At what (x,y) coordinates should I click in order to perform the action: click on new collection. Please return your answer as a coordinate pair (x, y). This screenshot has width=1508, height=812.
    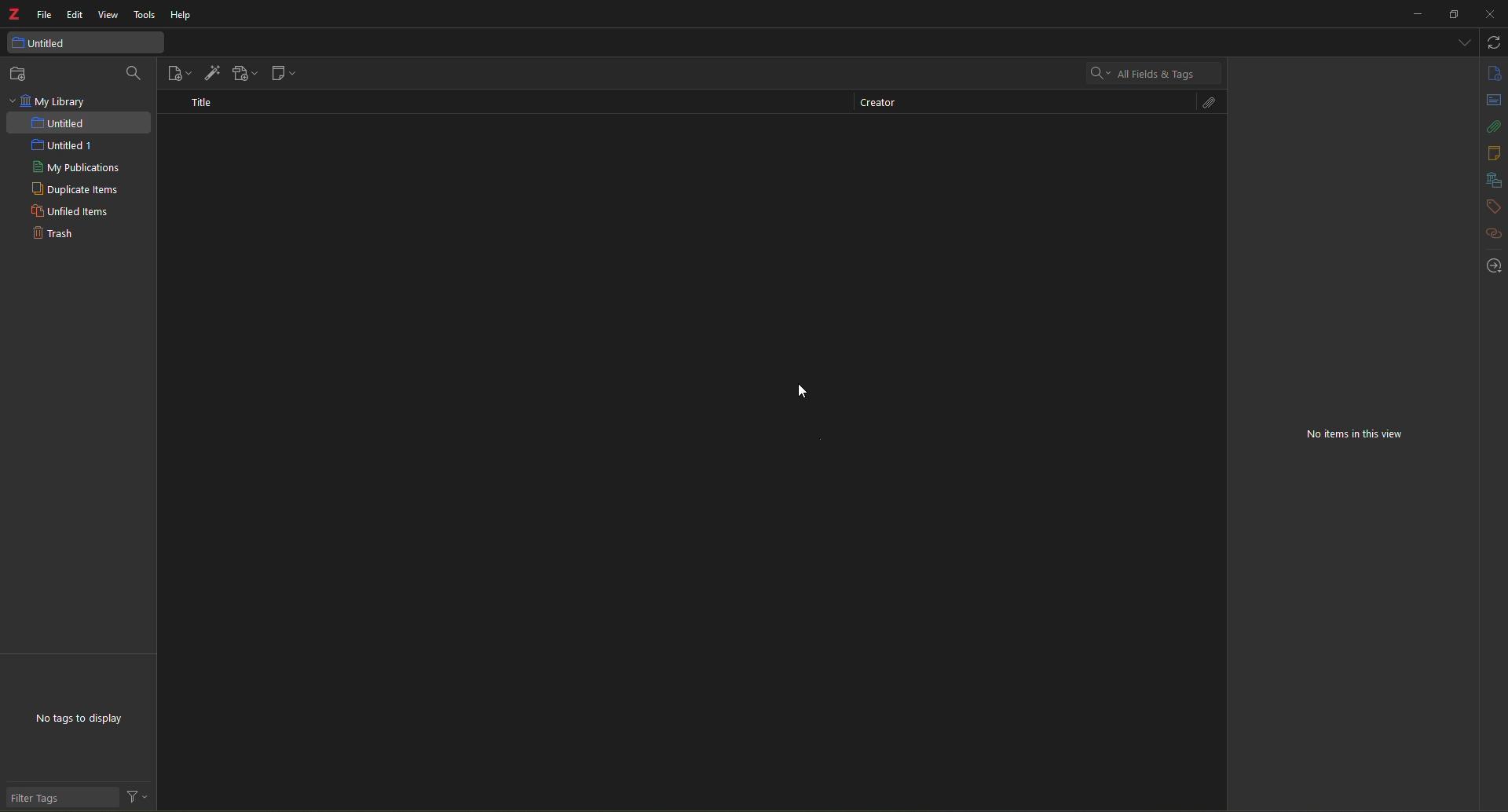
    Looking at the image, I should click on (24, 74).